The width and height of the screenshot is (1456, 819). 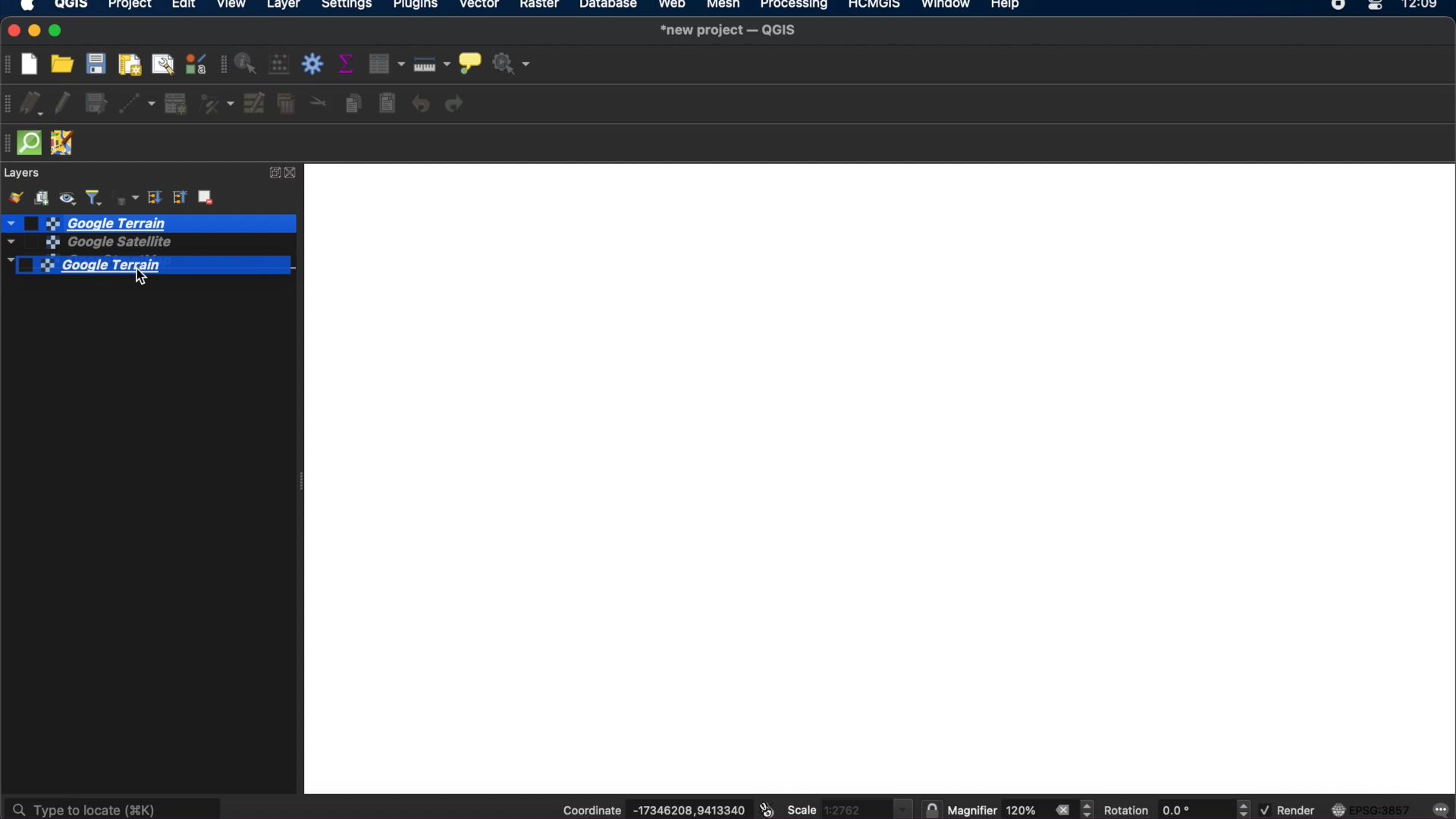 I want to click on new print layout, so click(x=131, y=64).